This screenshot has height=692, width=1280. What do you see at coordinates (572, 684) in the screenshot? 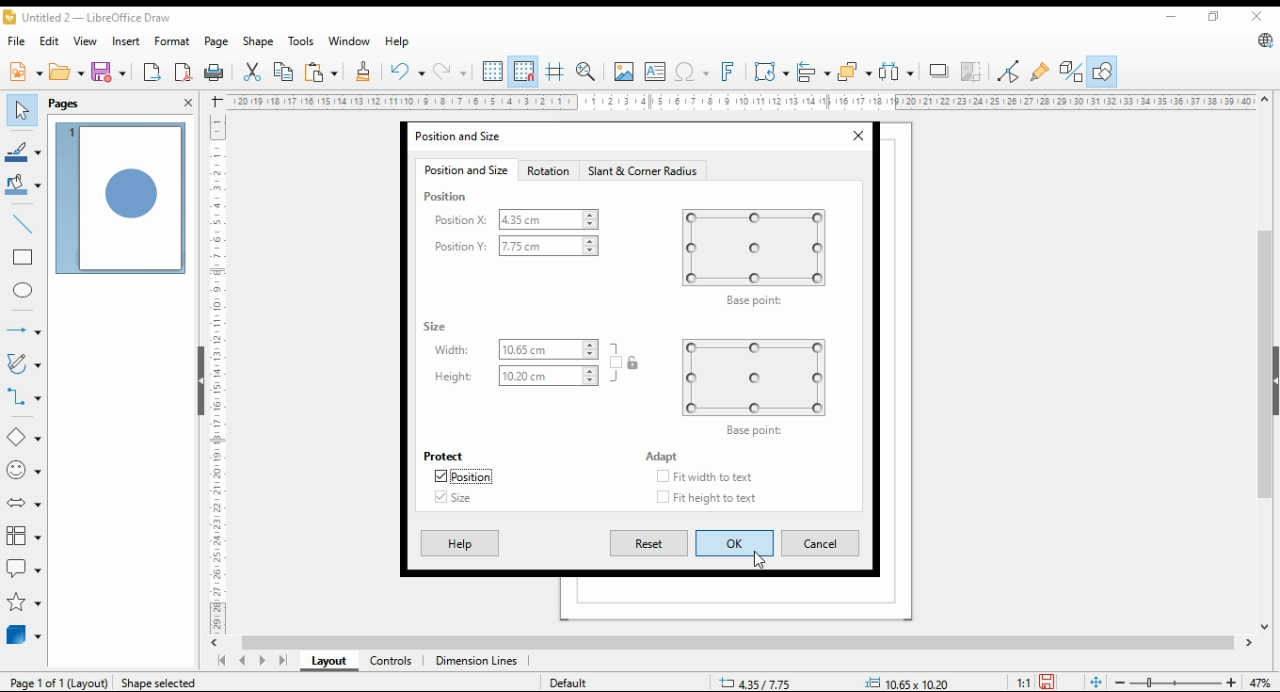
I see `default` at bounding box center [572, 684].